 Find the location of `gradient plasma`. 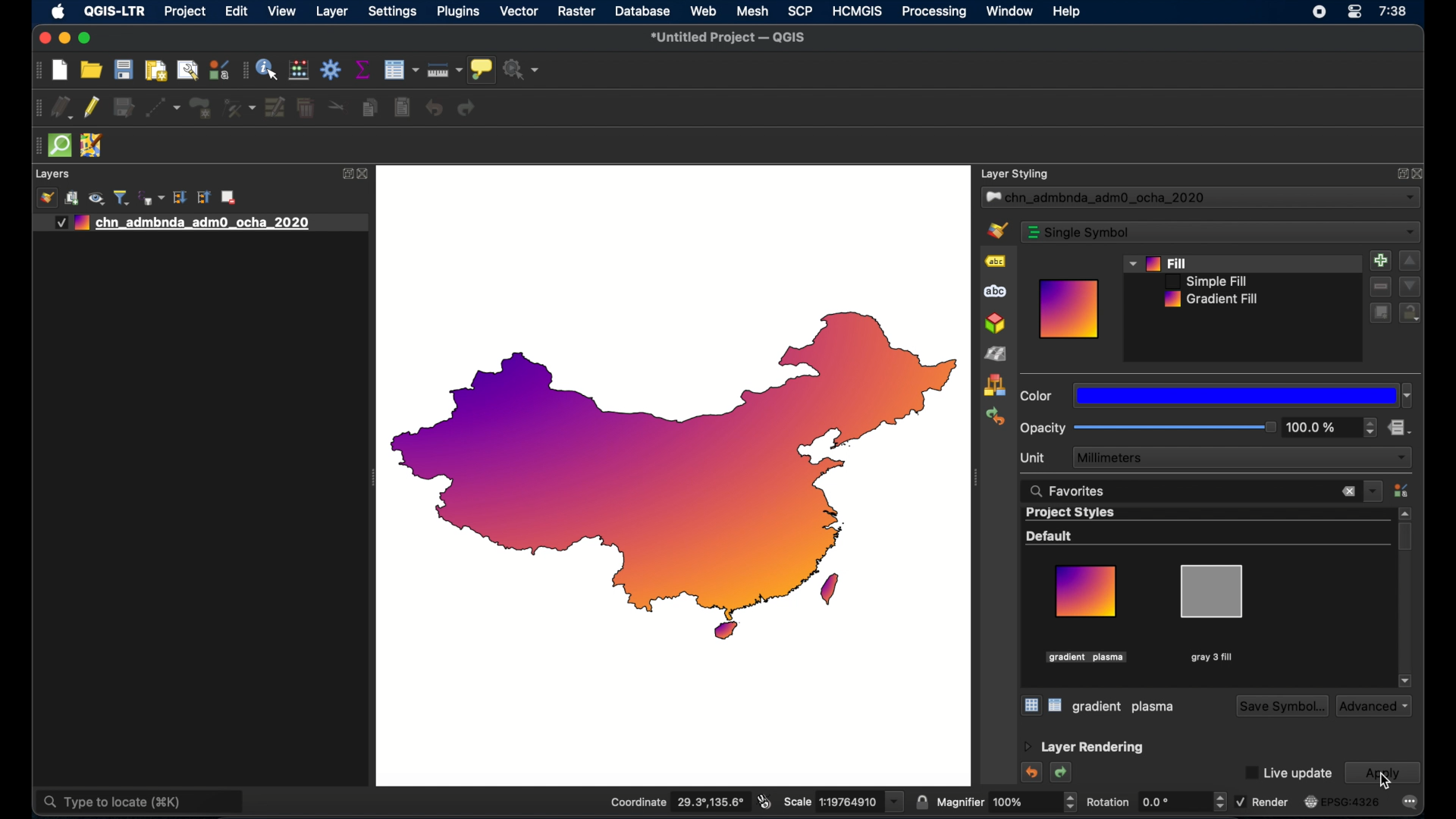

gradient plasma is located at coordinates (1087, 614).